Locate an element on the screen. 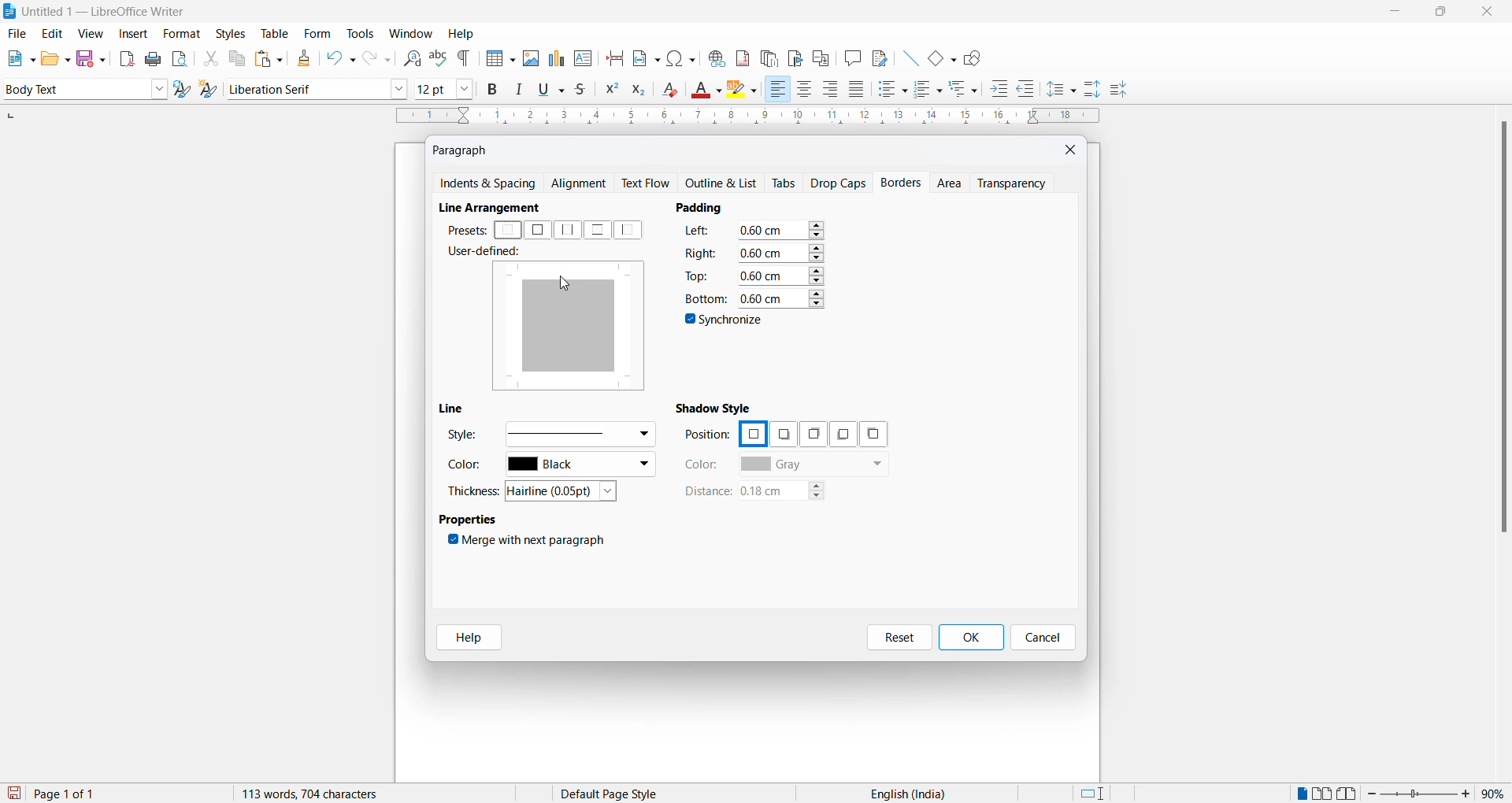  save is located at coordinates (15, 794).